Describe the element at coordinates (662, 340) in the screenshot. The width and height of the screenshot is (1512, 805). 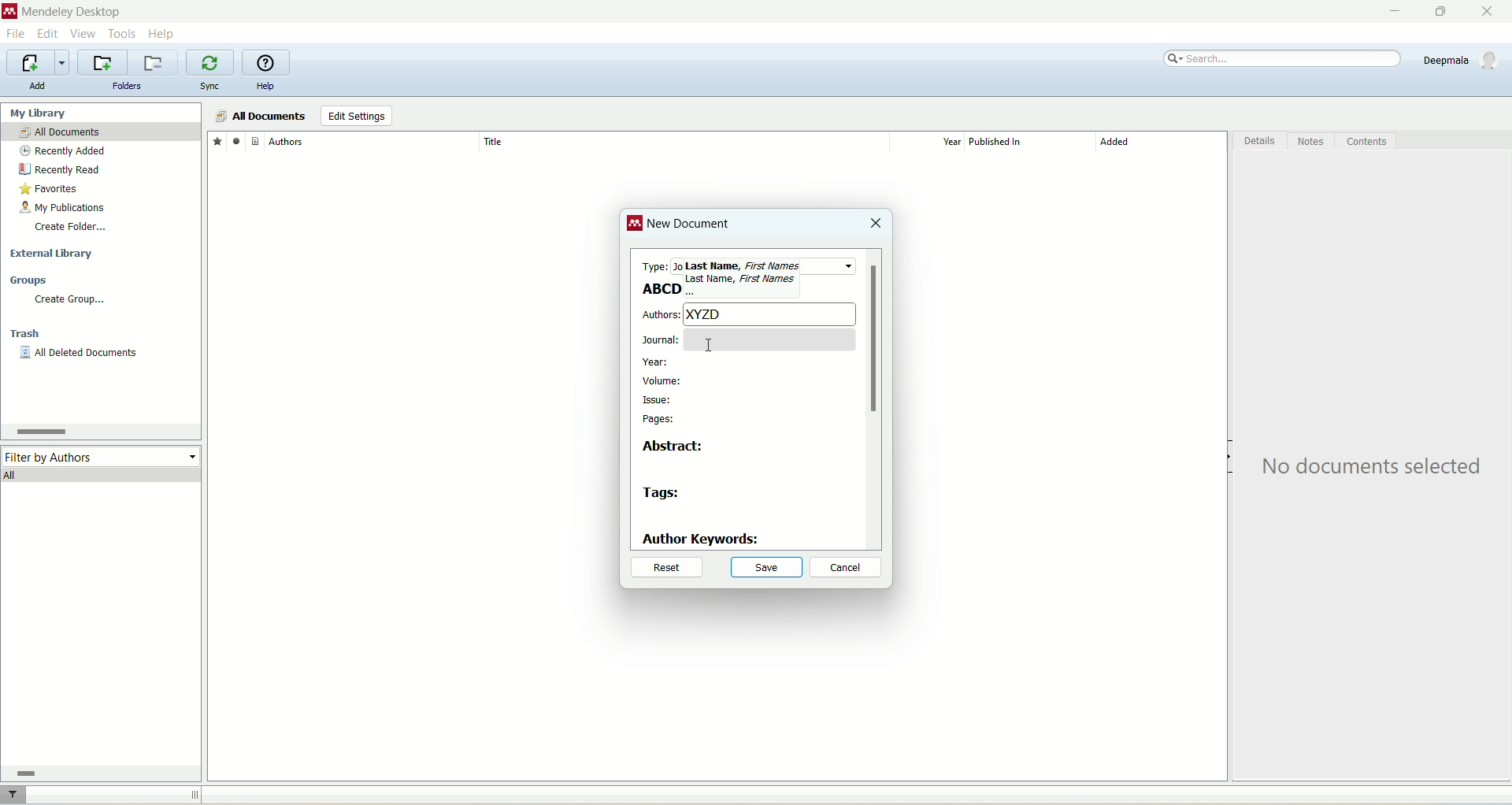
I see `journal` at that location.